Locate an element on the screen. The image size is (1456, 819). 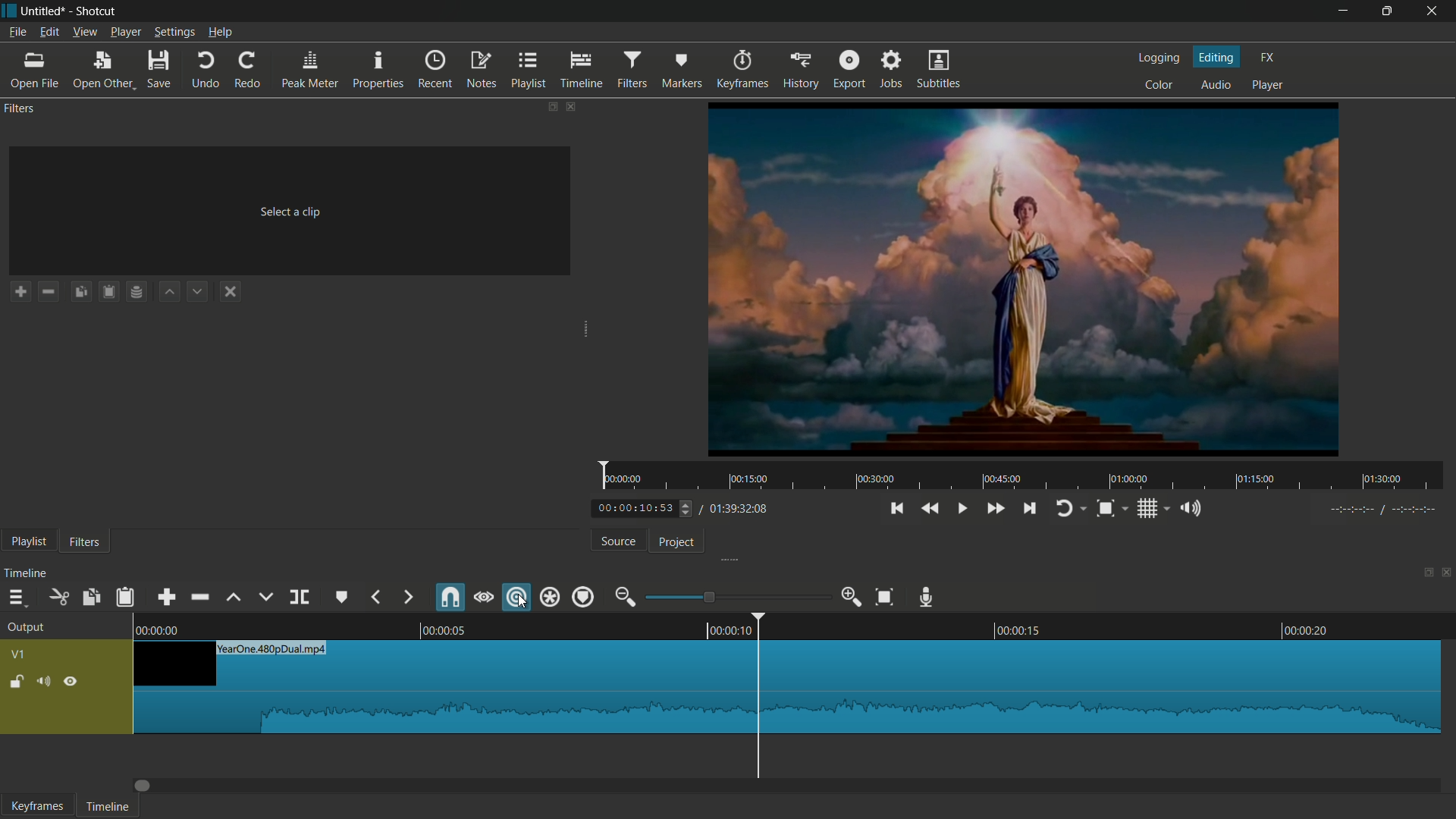
copy is located at coordinates (89, 598).